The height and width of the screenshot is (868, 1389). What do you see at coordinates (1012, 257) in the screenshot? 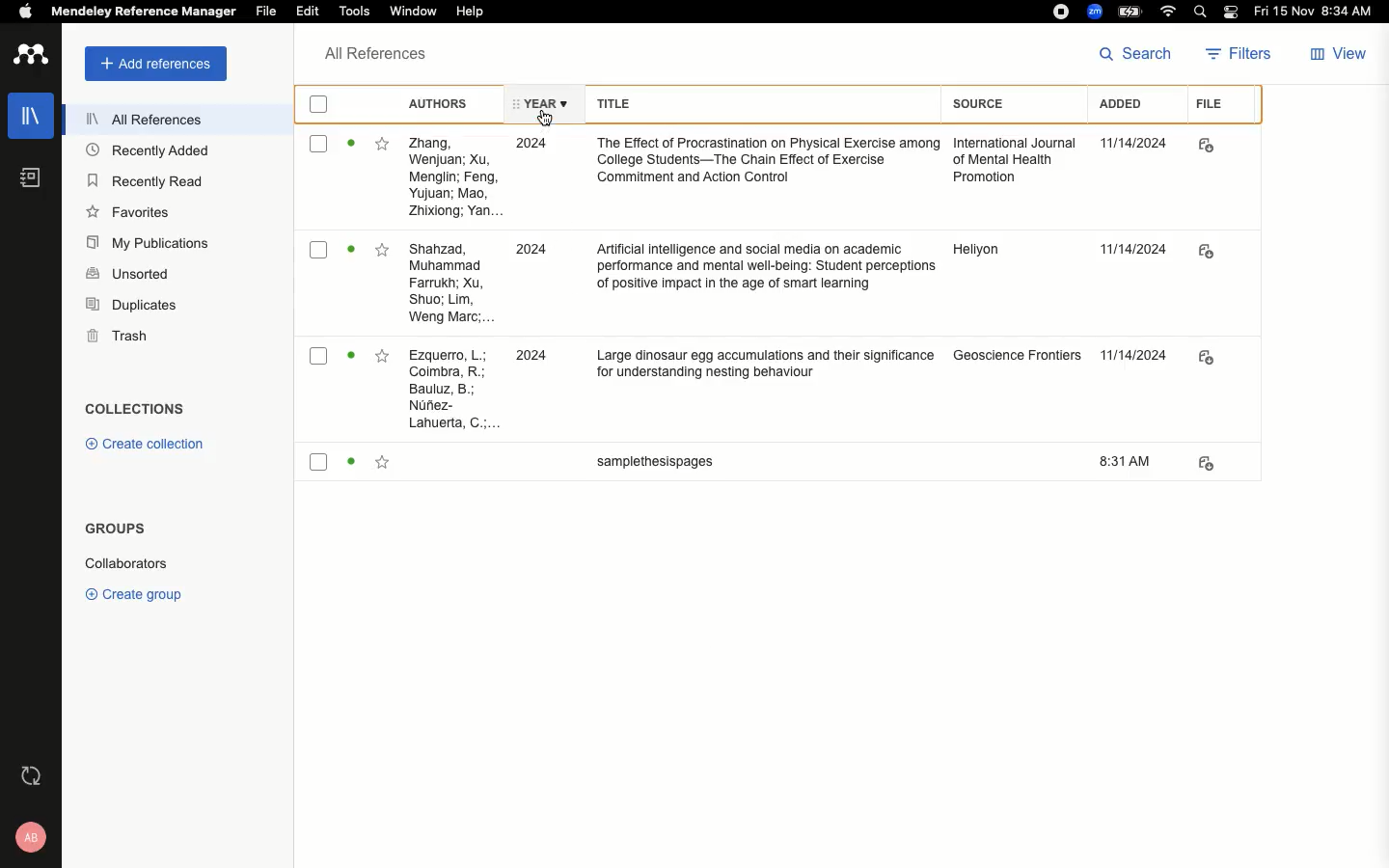
I see `source` at bounding box center [1012, 257].